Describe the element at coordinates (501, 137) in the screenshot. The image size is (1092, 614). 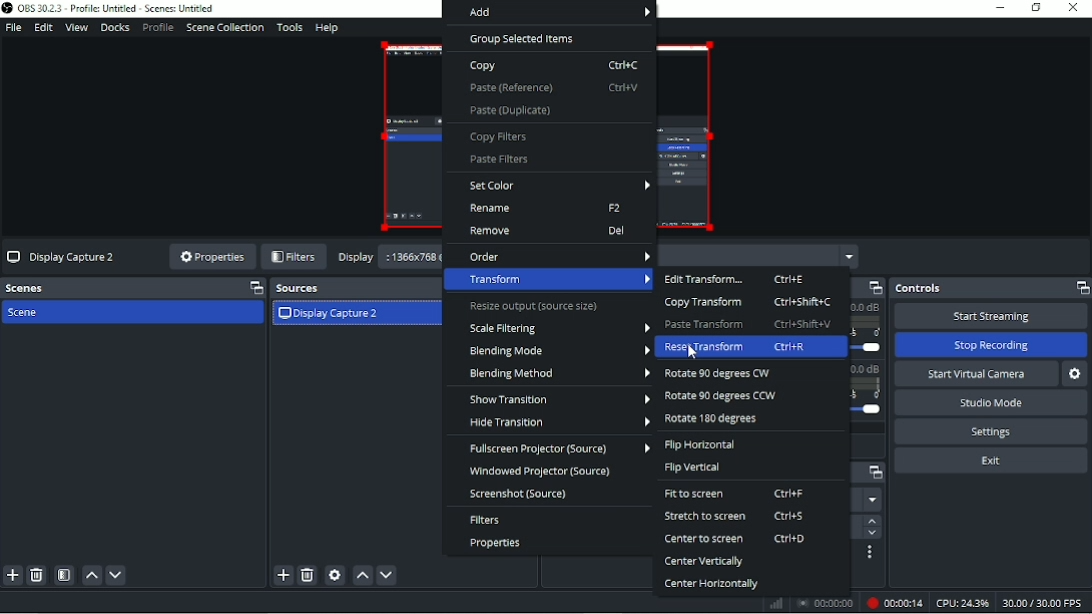
I see `Copy filters` at that location.